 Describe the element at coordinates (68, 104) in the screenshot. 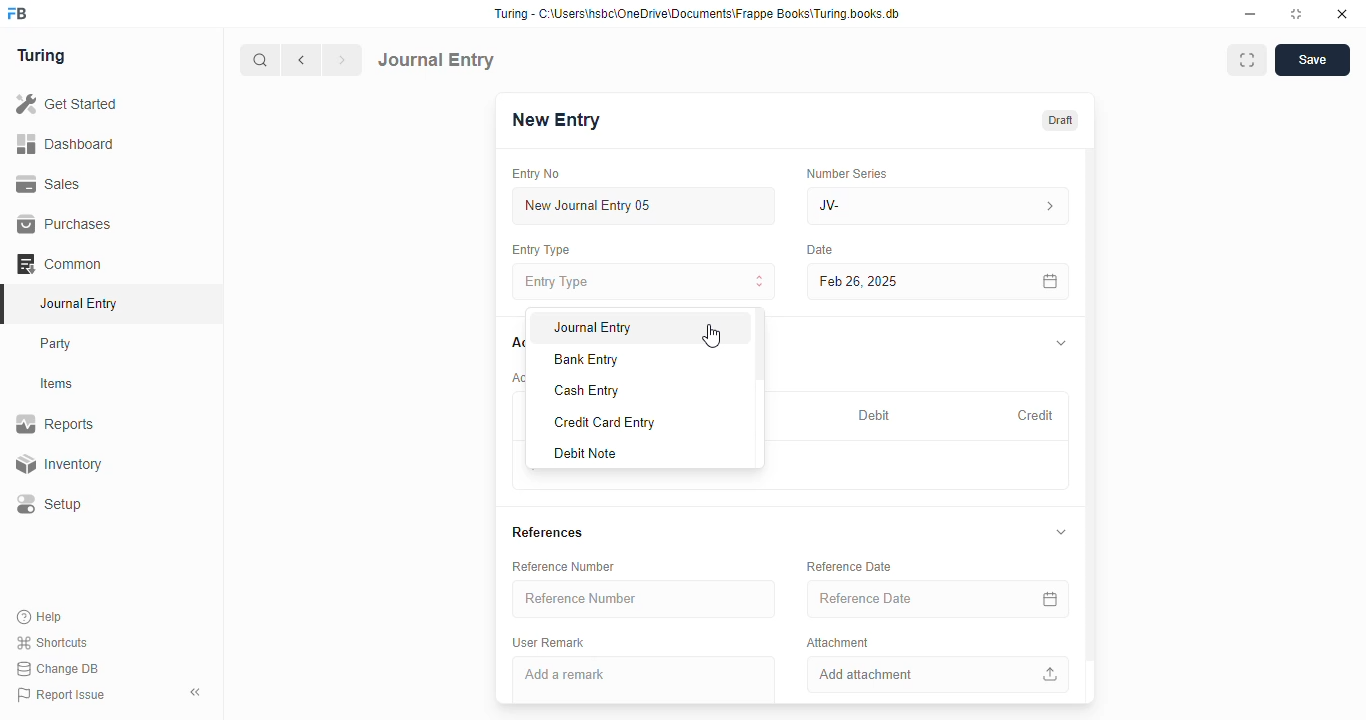

I see `get started` at that location.